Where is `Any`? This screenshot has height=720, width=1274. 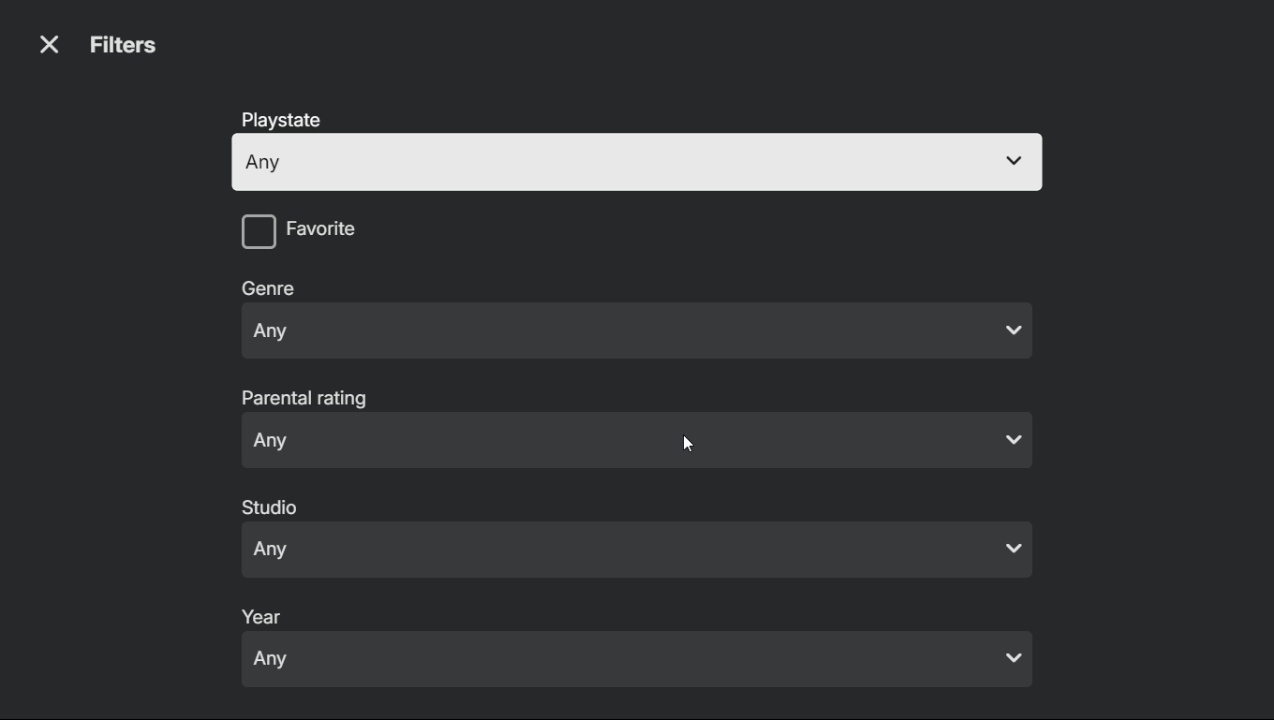
Any is located at coordinates (639, 332).